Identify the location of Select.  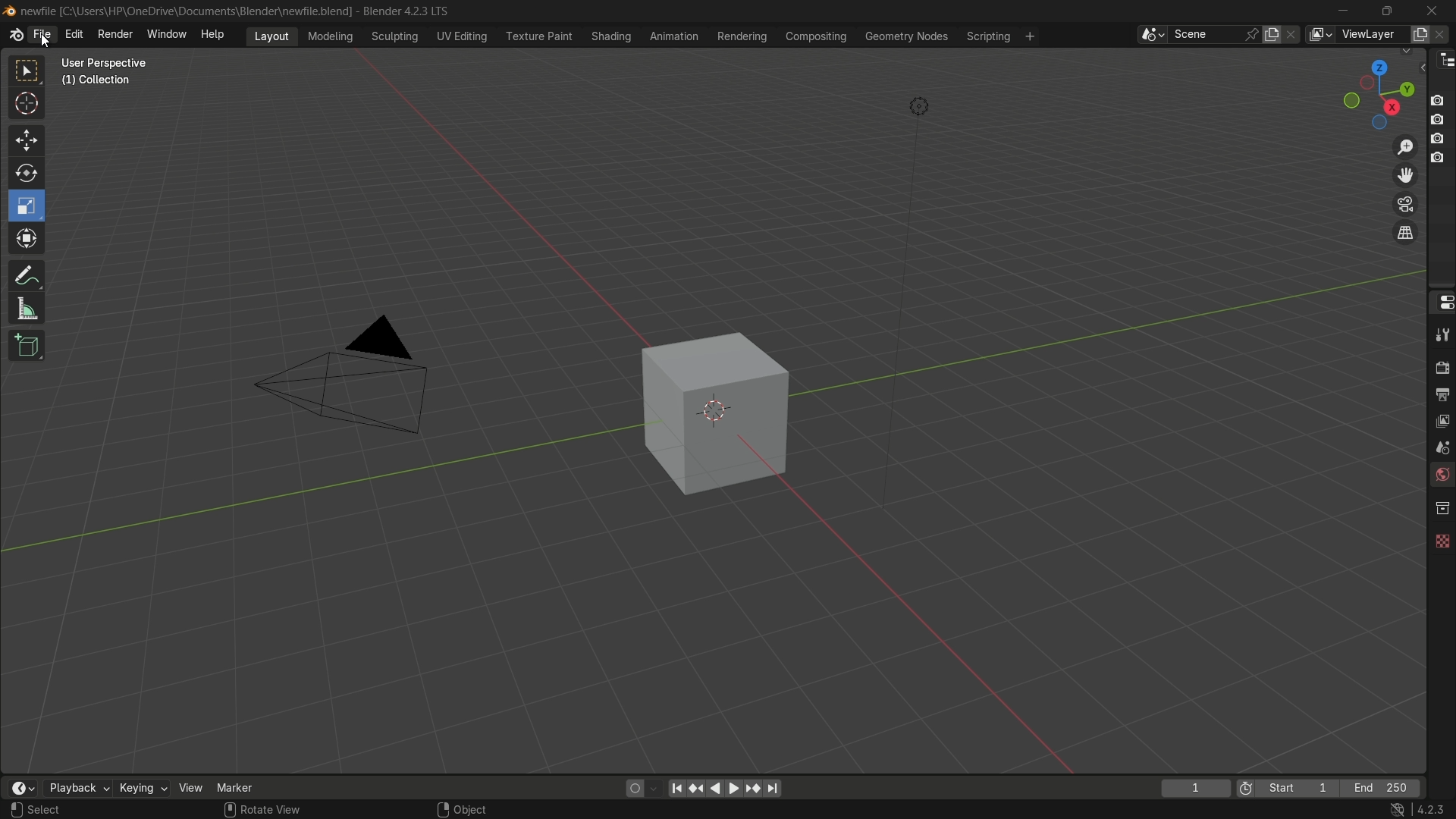
(63, 810).